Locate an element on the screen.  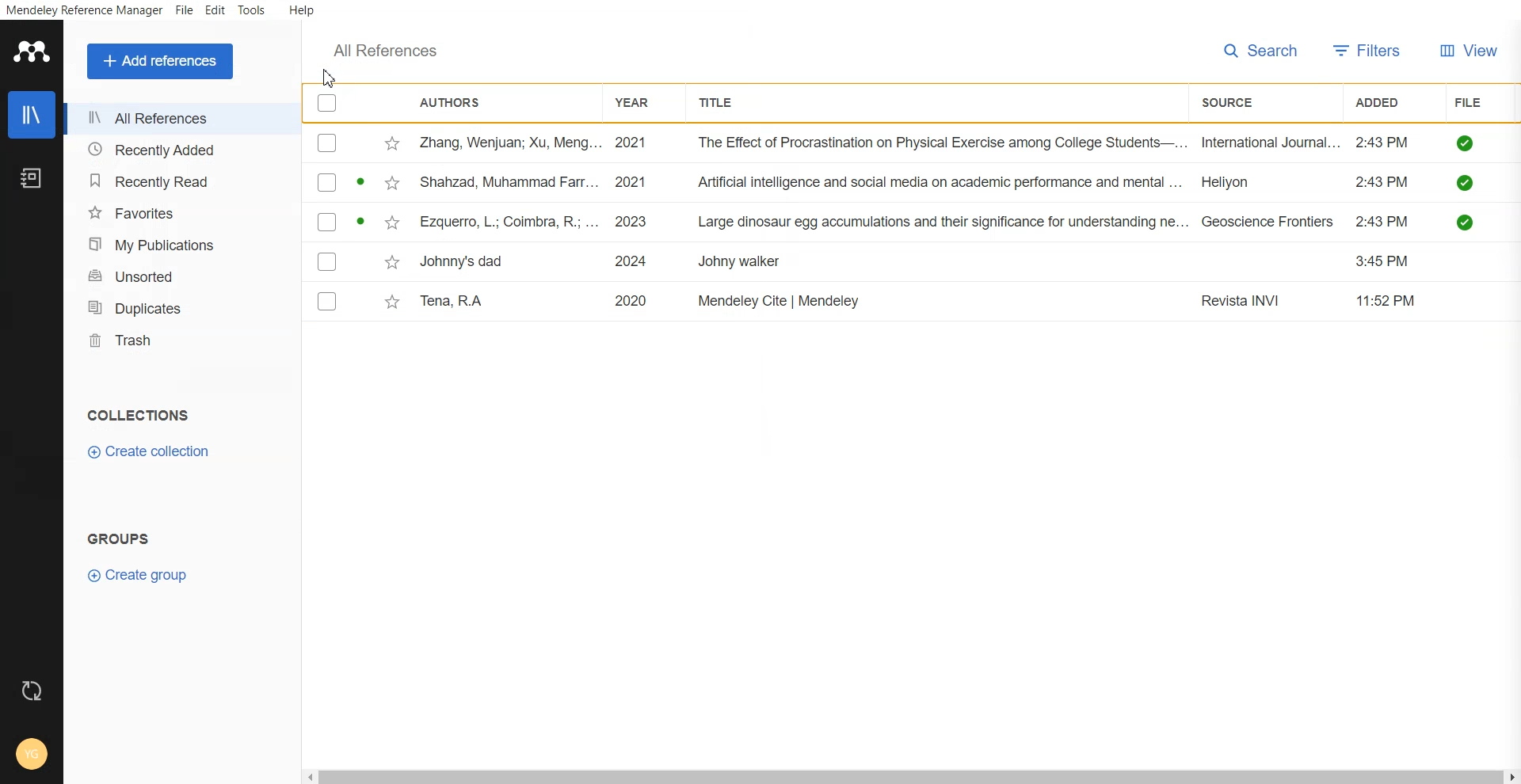
checkbox is located at coordinates (328, 143).